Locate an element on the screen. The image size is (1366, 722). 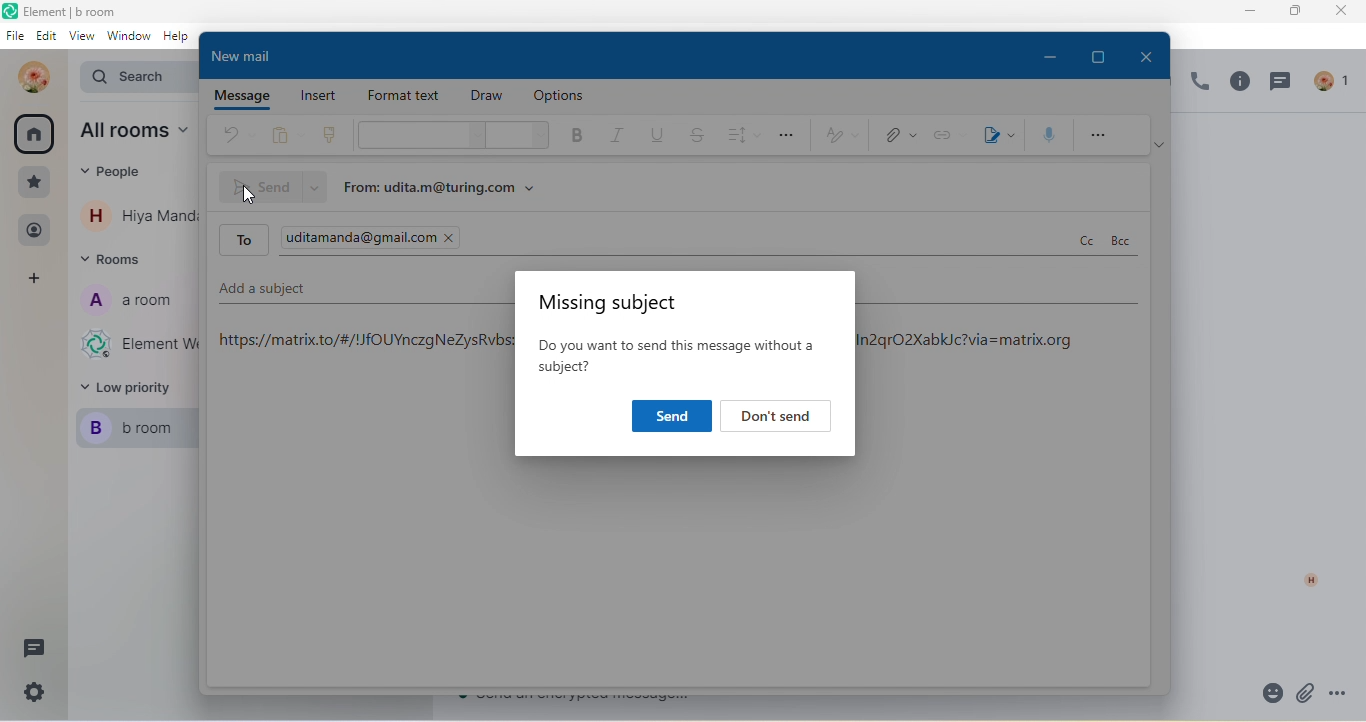
add is located at coordinates (37, 280).